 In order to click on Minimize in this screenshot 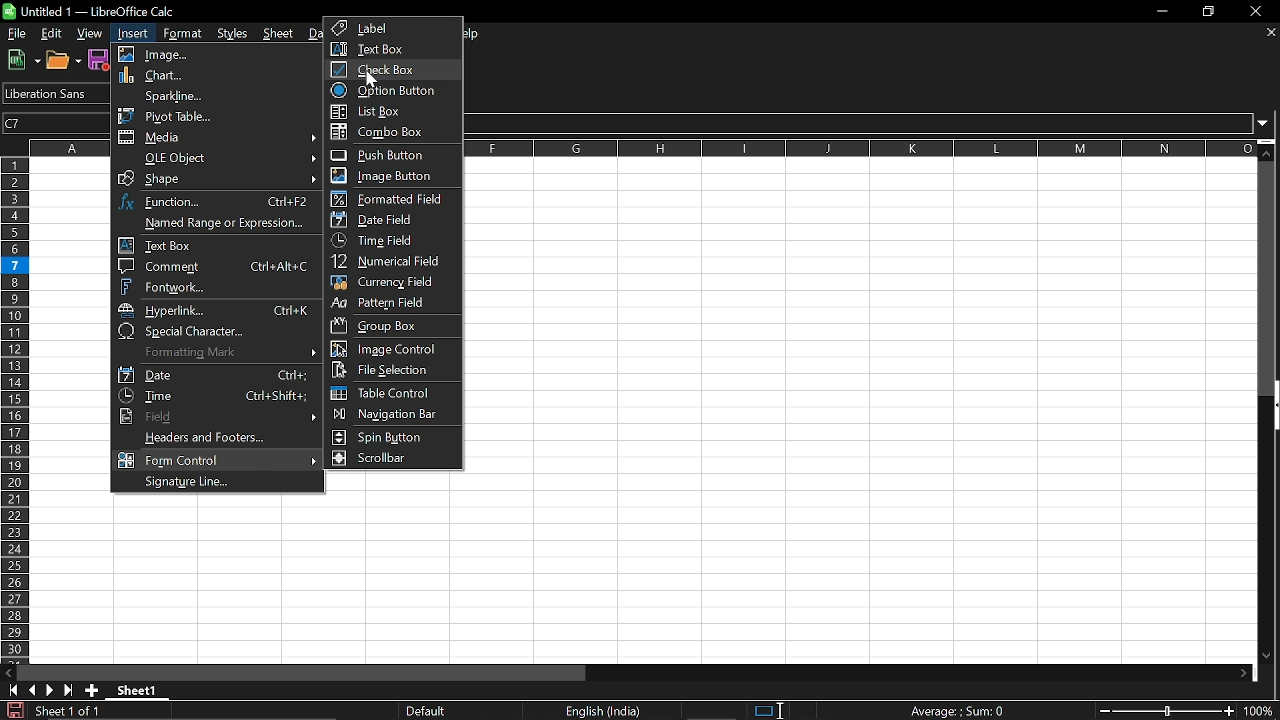, I will do `click(1158, 11)`.